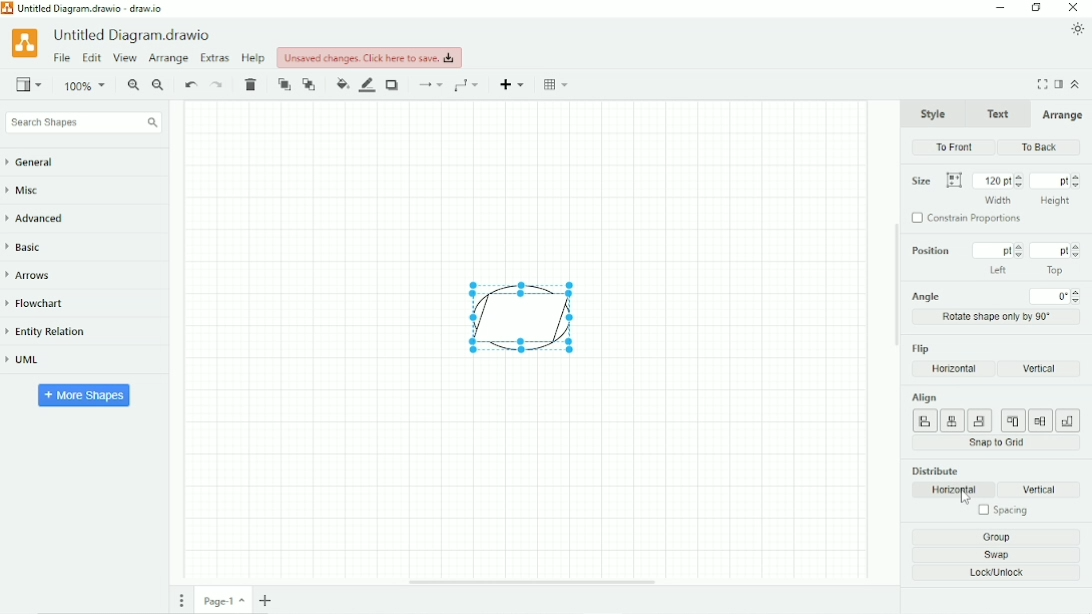  I want to click on Close, so click(1074, 8).